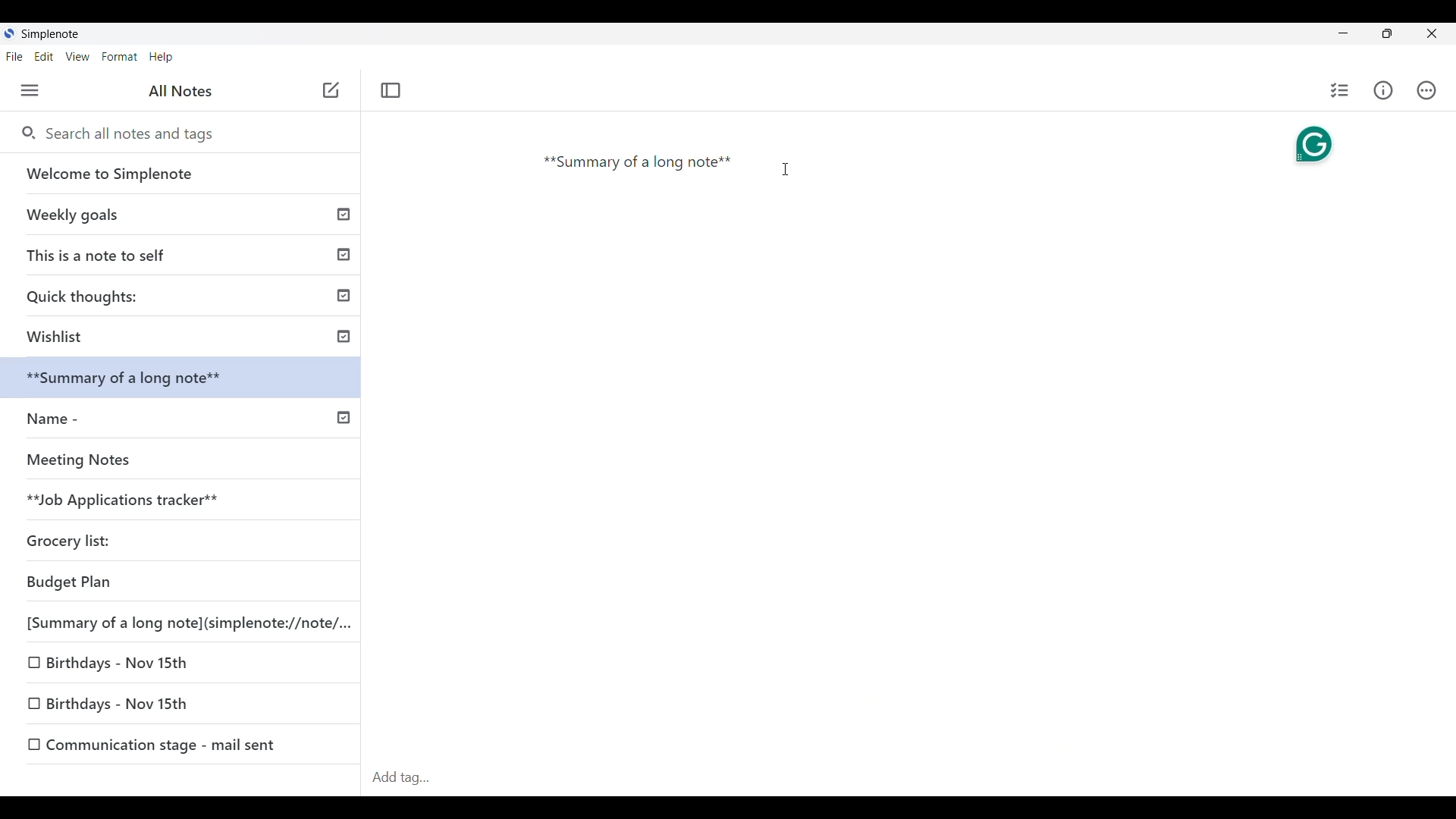 The image size is (1456, 819). I want to click on Quick thoughts:, so click(187, 292).